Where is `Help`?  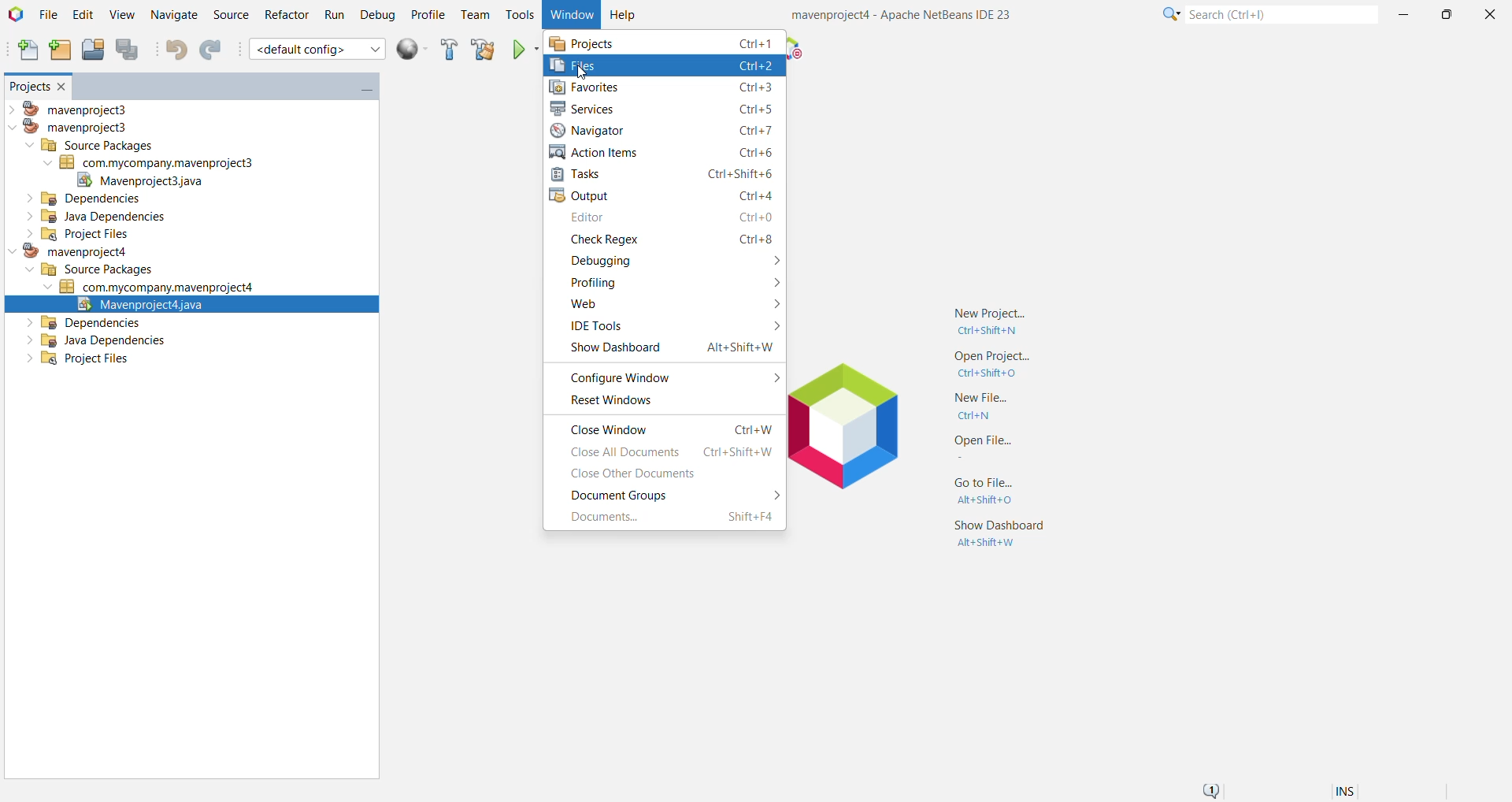
Help is located at coordinates (624, 16).